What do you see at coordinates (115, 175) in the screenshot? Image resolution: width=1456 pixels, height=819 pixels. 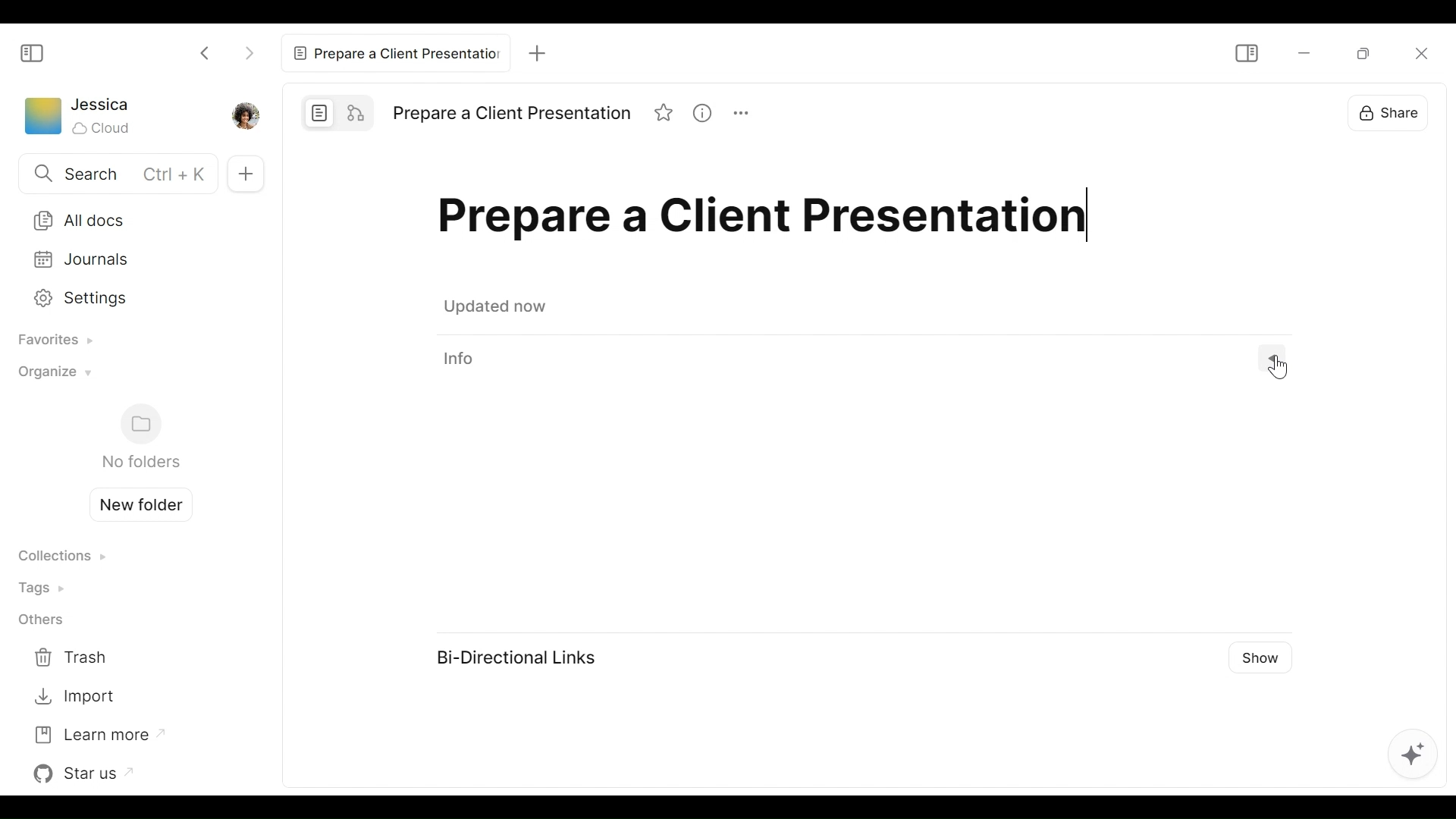 I see `Search` at bounding box center [115, 175].